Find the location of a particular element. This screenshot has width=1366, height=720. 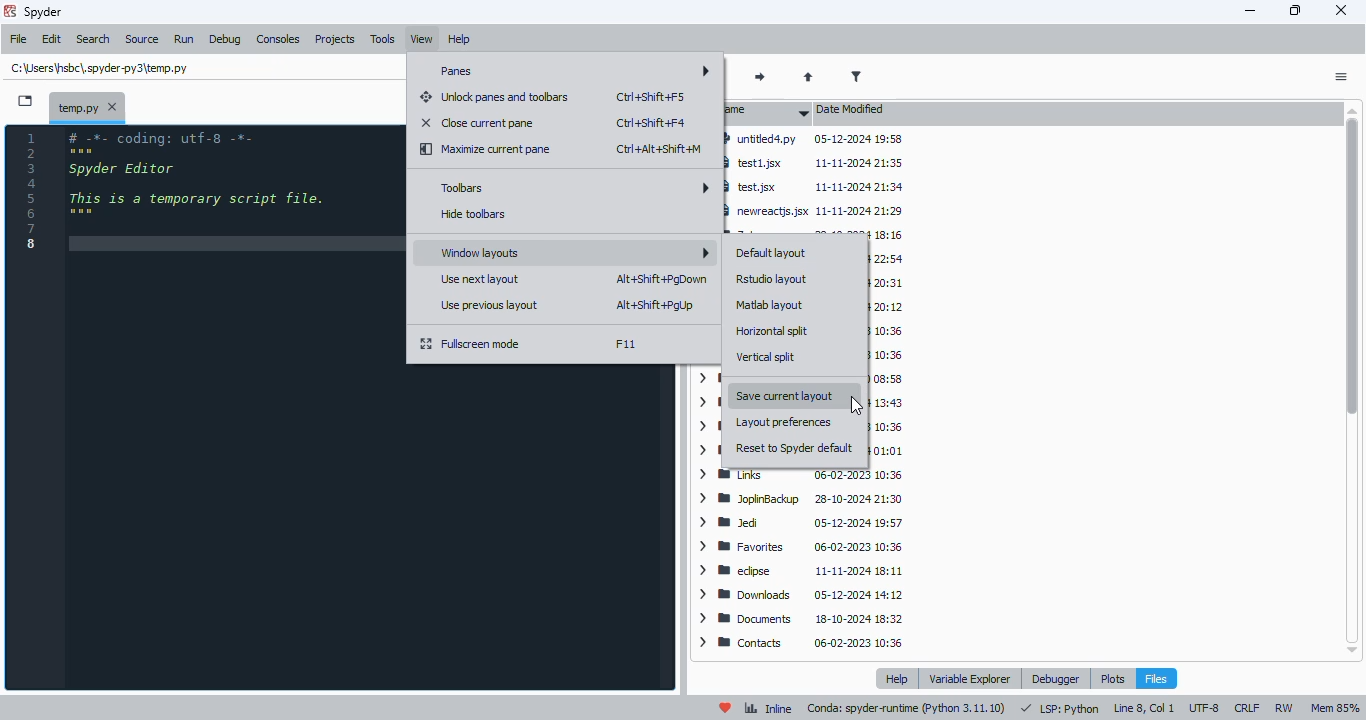

source is located at coordinates (143, 40).